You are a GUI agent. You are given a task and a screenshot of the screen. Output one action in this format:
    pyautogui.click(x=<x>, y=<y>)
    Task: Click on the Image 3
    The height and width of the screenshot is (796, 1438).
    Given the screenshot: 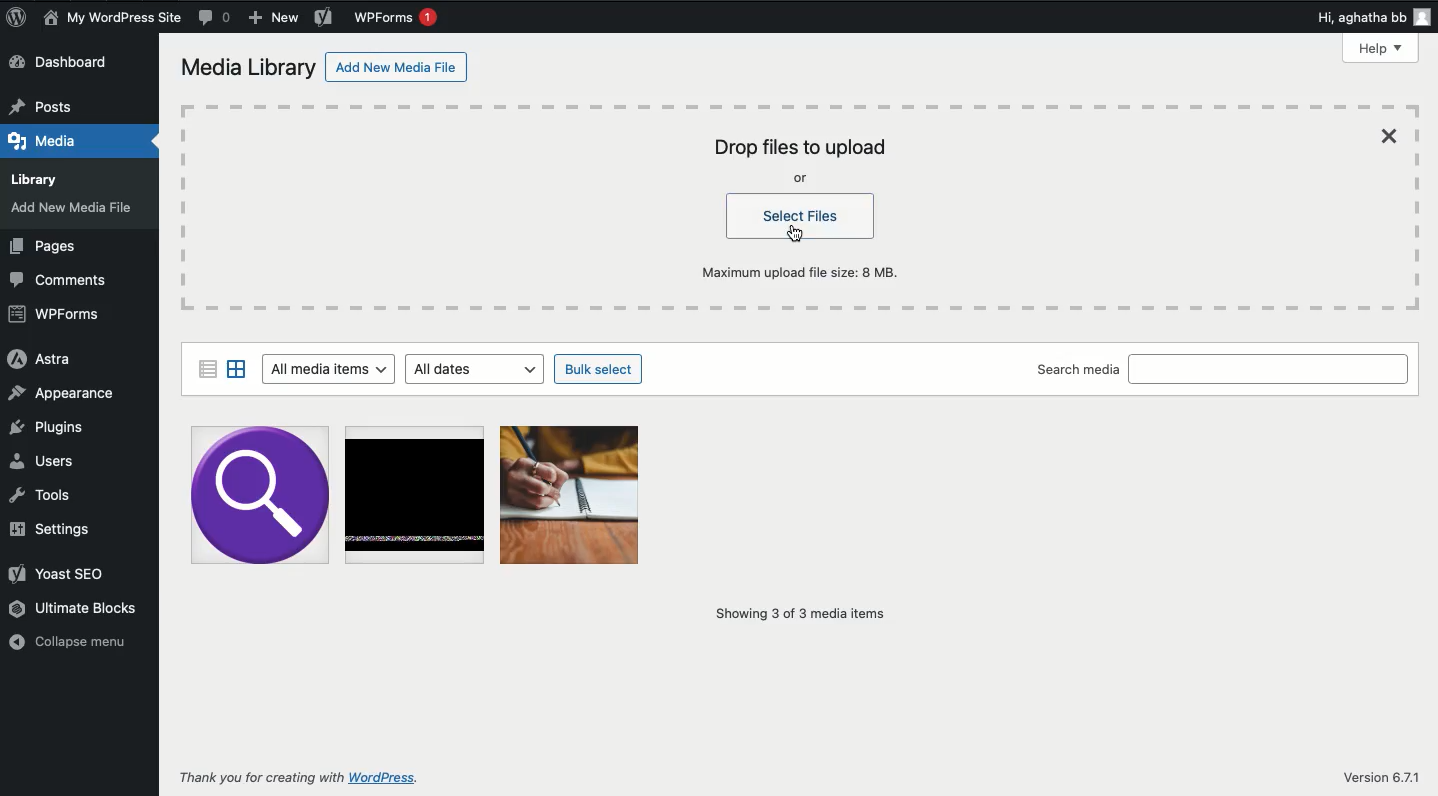 What is the action you would take?
    pyautogui.click(x=571, y=494)
    